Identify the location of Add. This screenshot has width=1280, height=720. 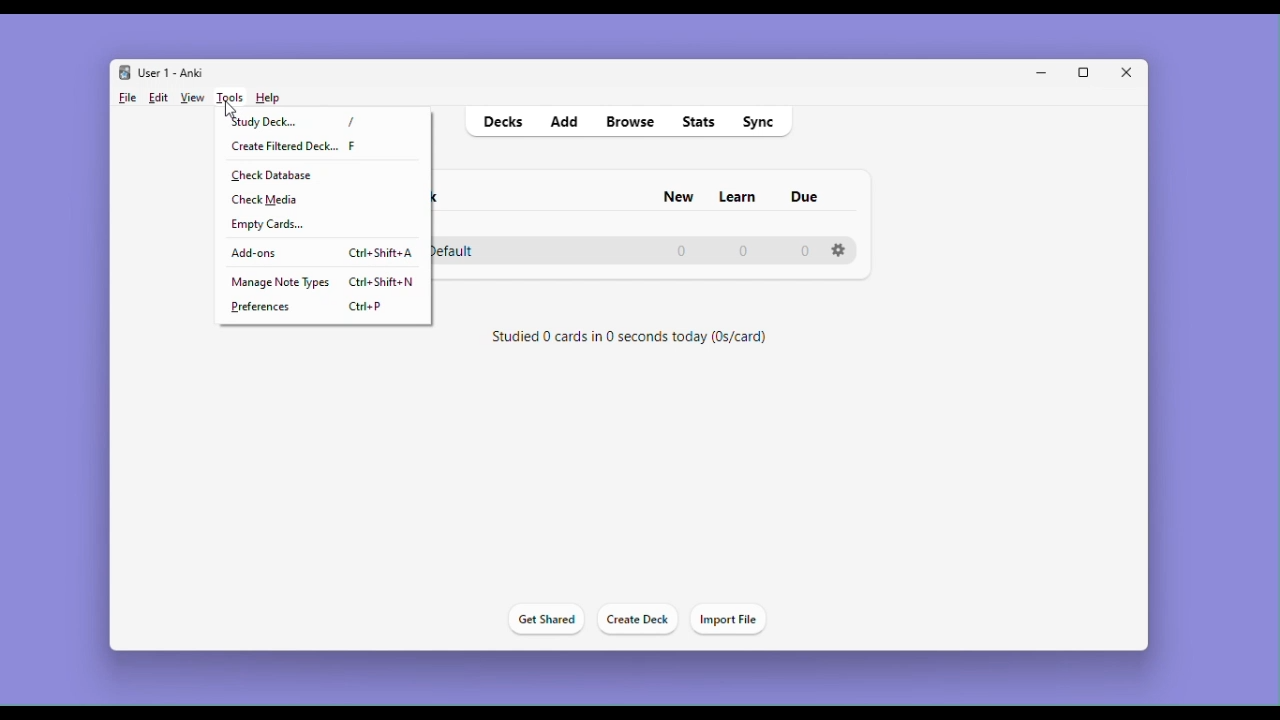
(564, 121).